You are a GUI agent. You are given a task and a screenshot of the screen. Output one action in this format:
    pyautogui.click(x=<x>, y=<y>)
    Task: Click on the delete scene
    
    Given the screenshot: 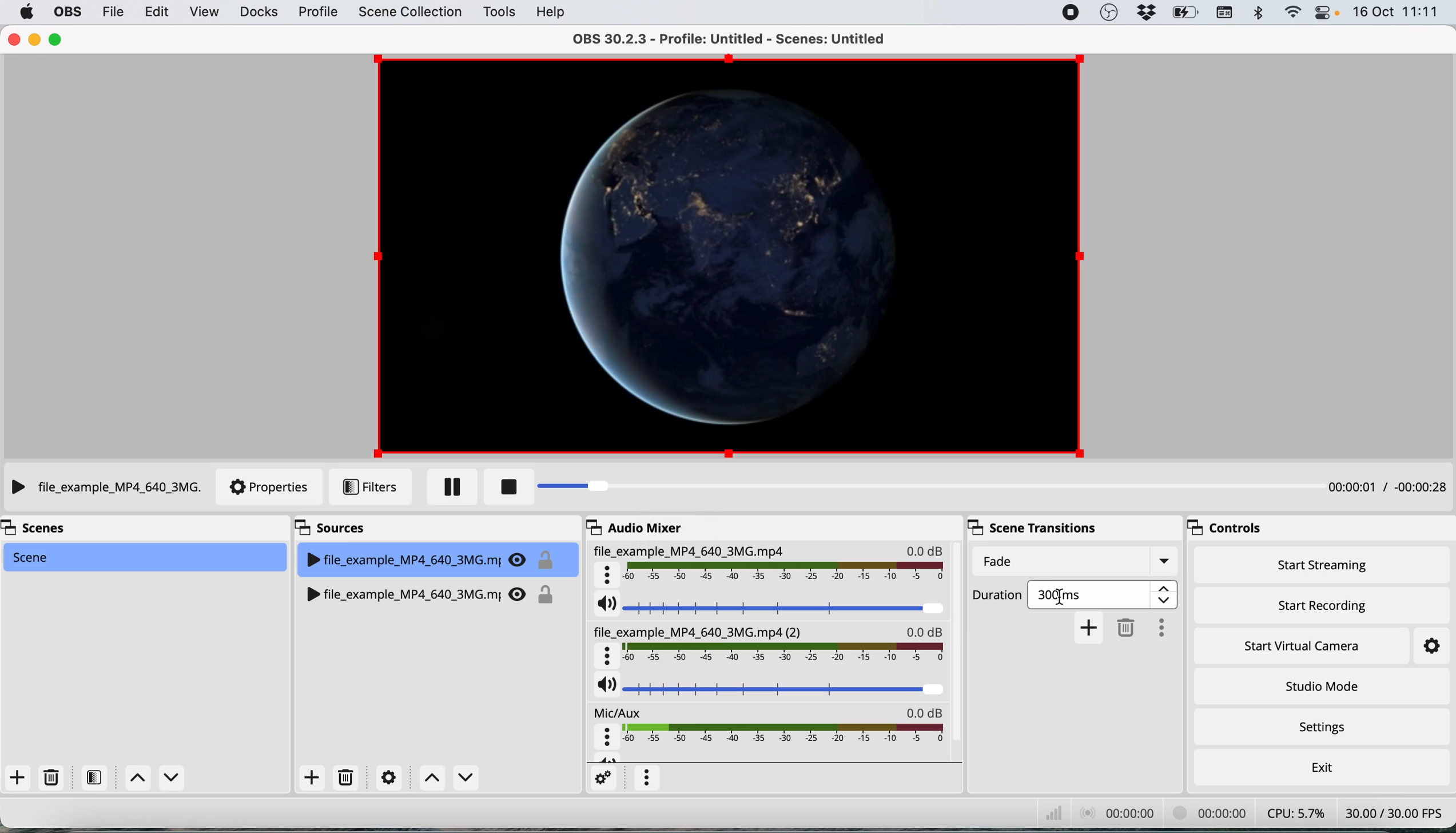 What is the action you would take?
    pyautogui.click(x=51, y=776)
    